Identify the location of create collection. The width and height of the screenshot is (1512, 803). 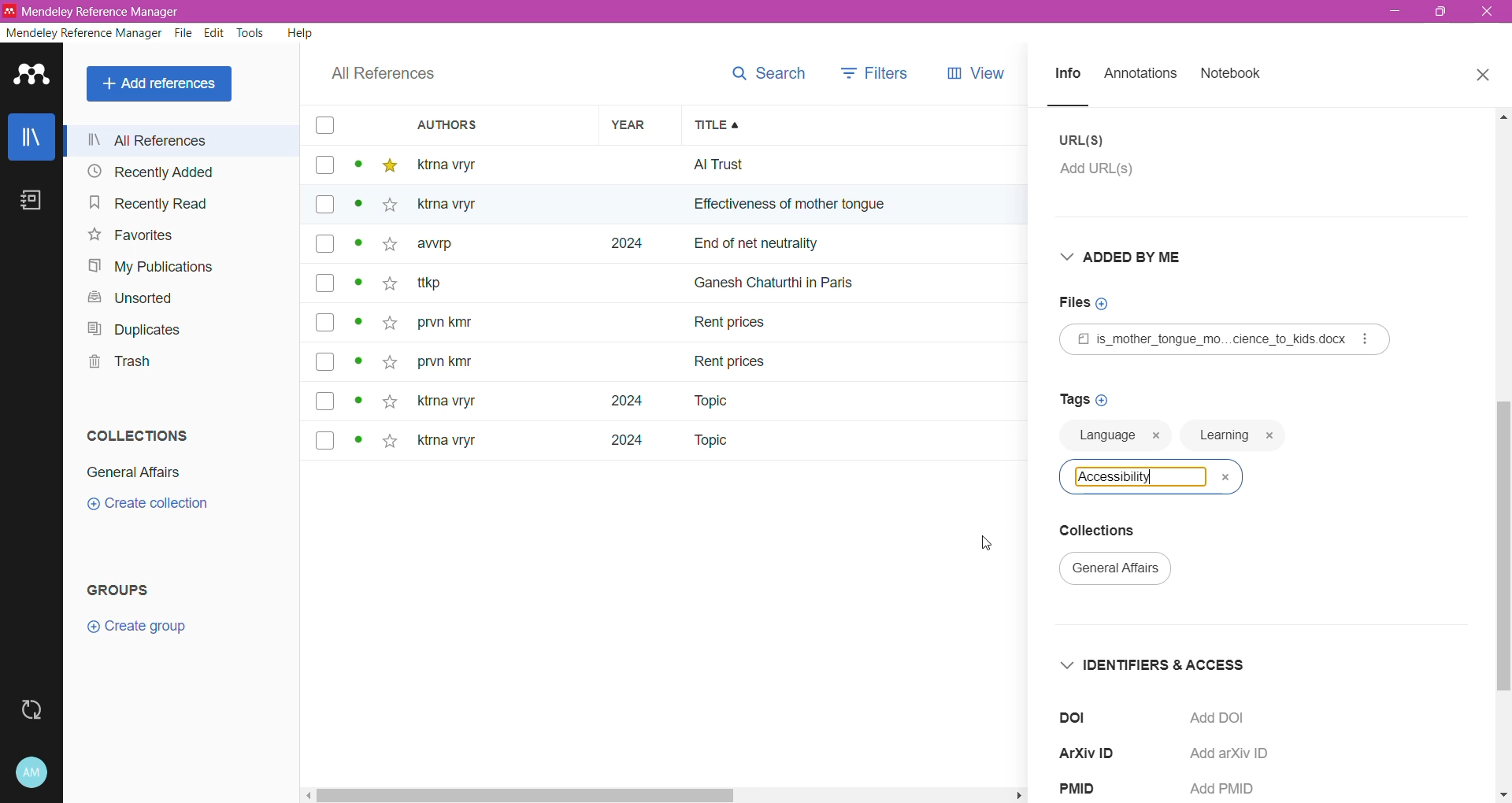
(159, 509).